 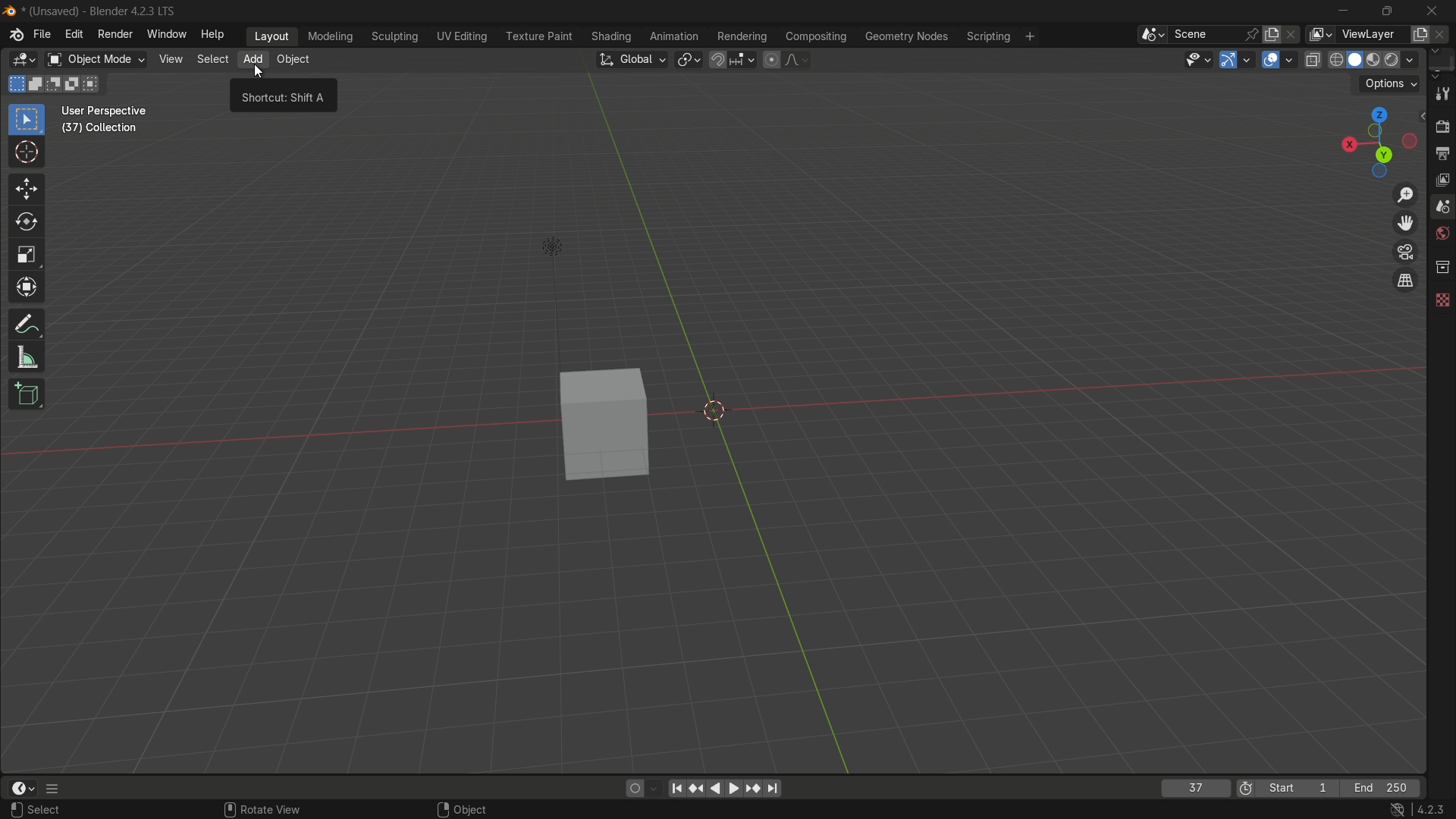 I want to click on layout menu, so click(x=269, y=36).